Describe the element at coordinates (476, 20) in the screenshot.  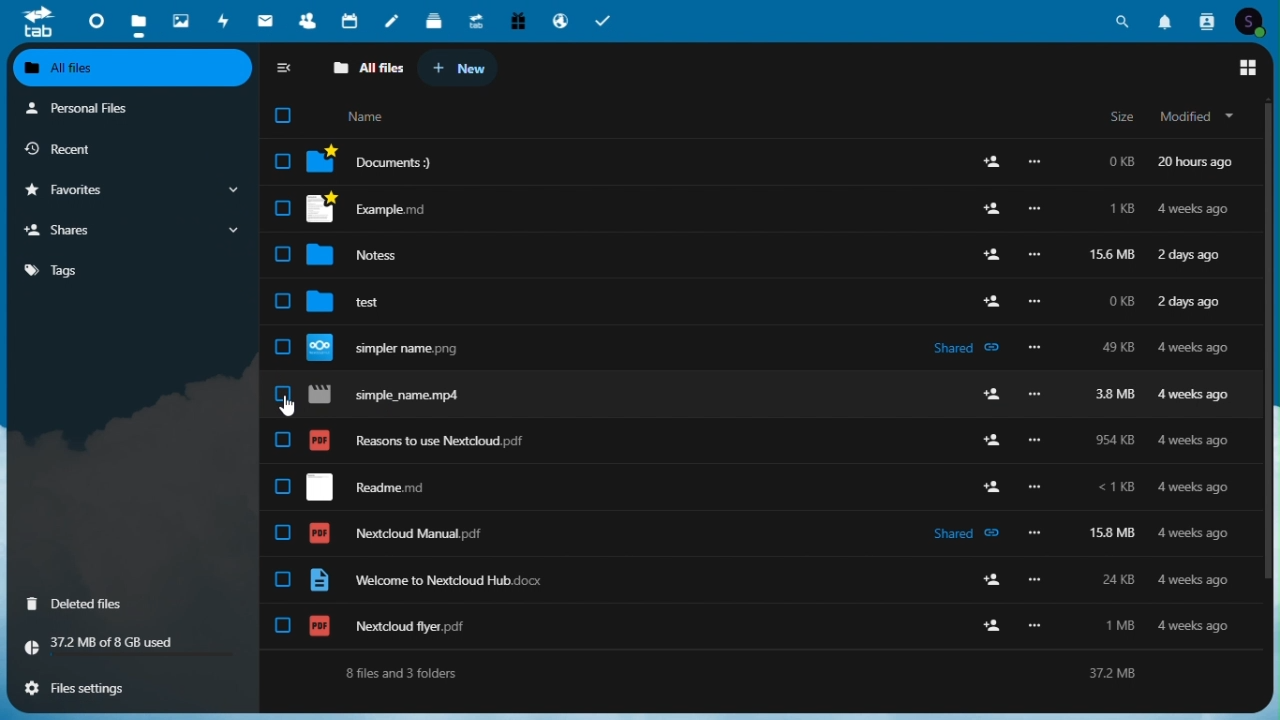
I see `Upgrade` at that location.